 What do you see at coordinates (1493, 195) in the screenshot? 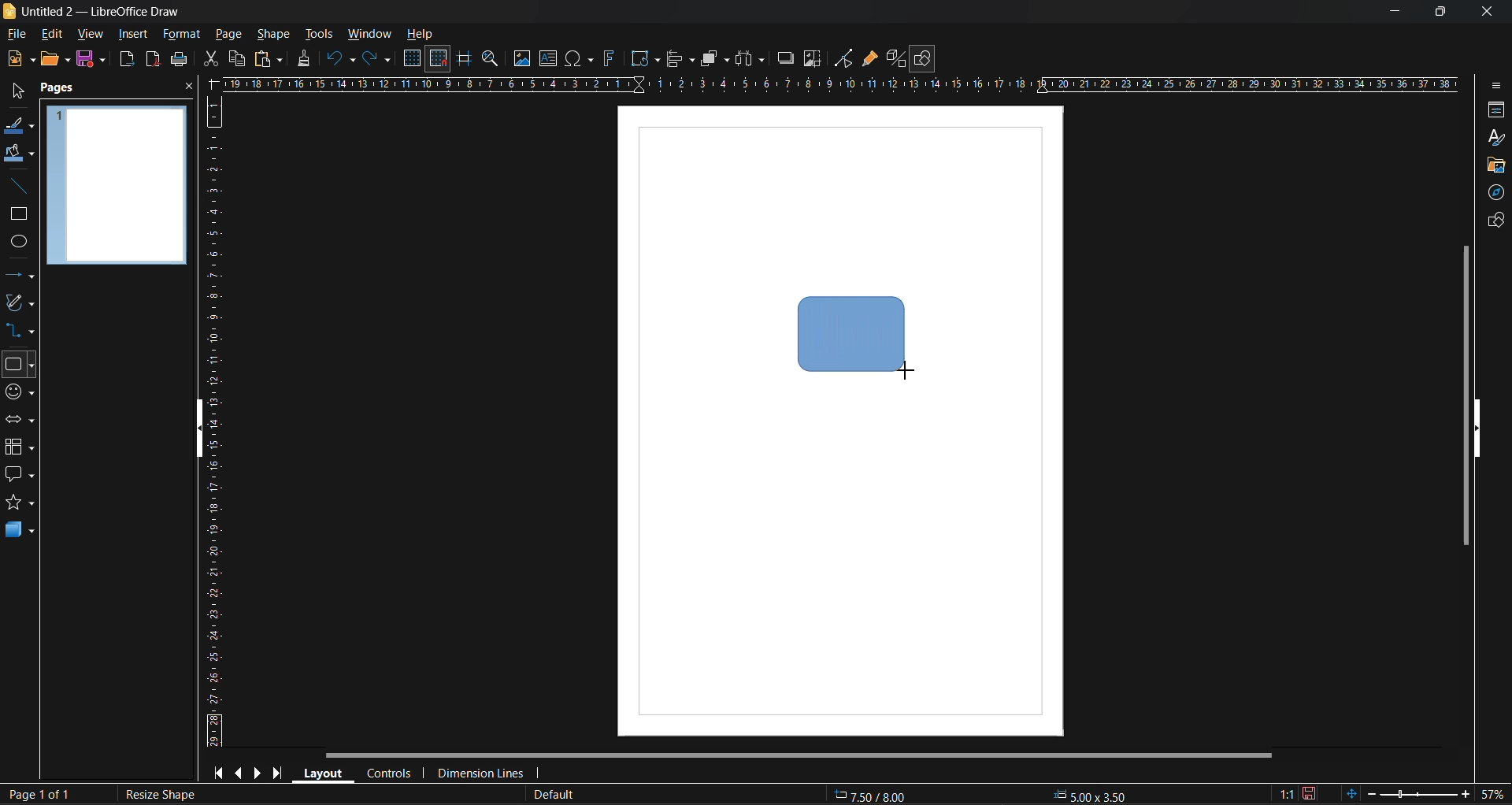
I see `navigator` at bounding box center [1493, 195].